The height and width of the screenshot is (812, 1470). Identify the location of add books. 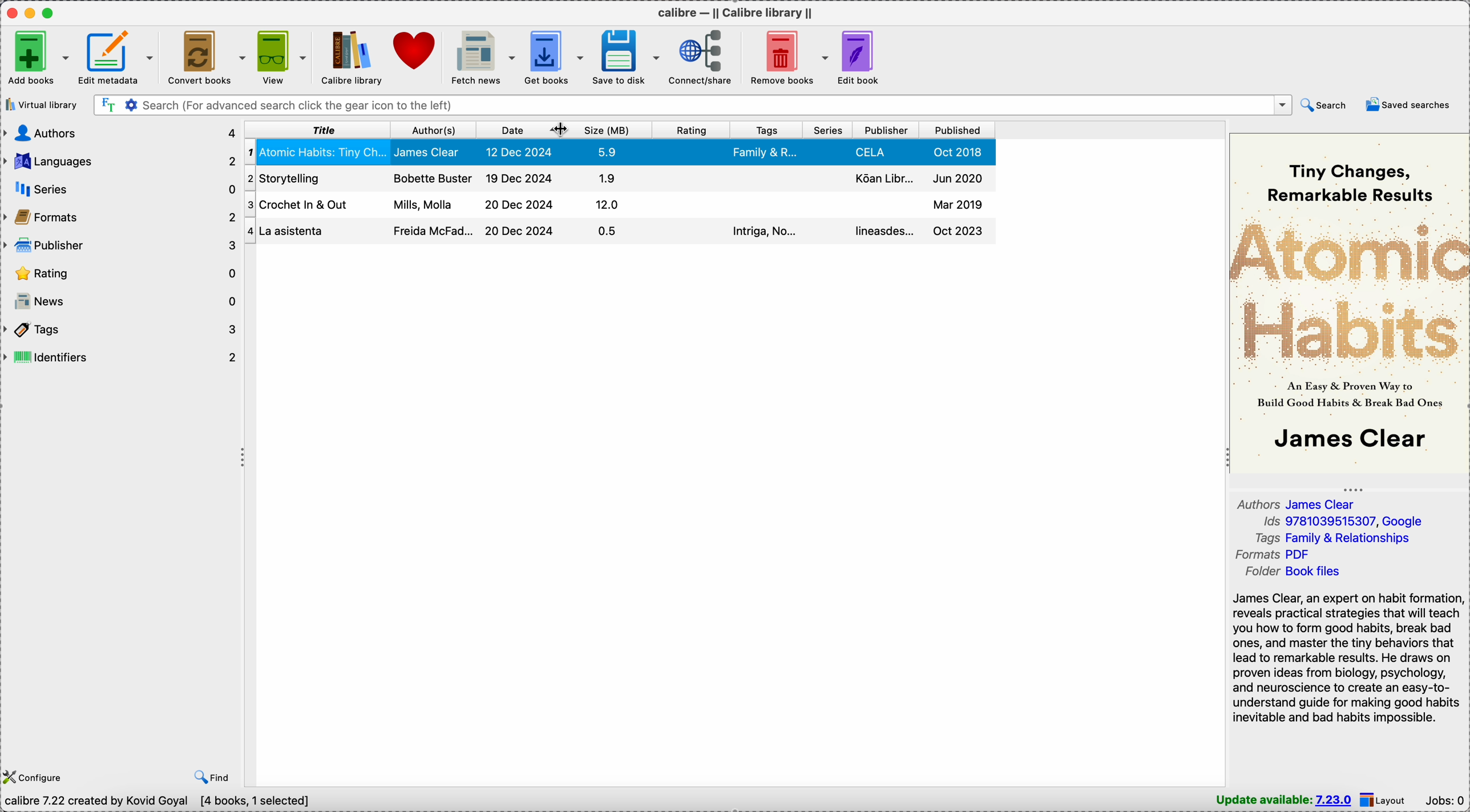
(37, 58).